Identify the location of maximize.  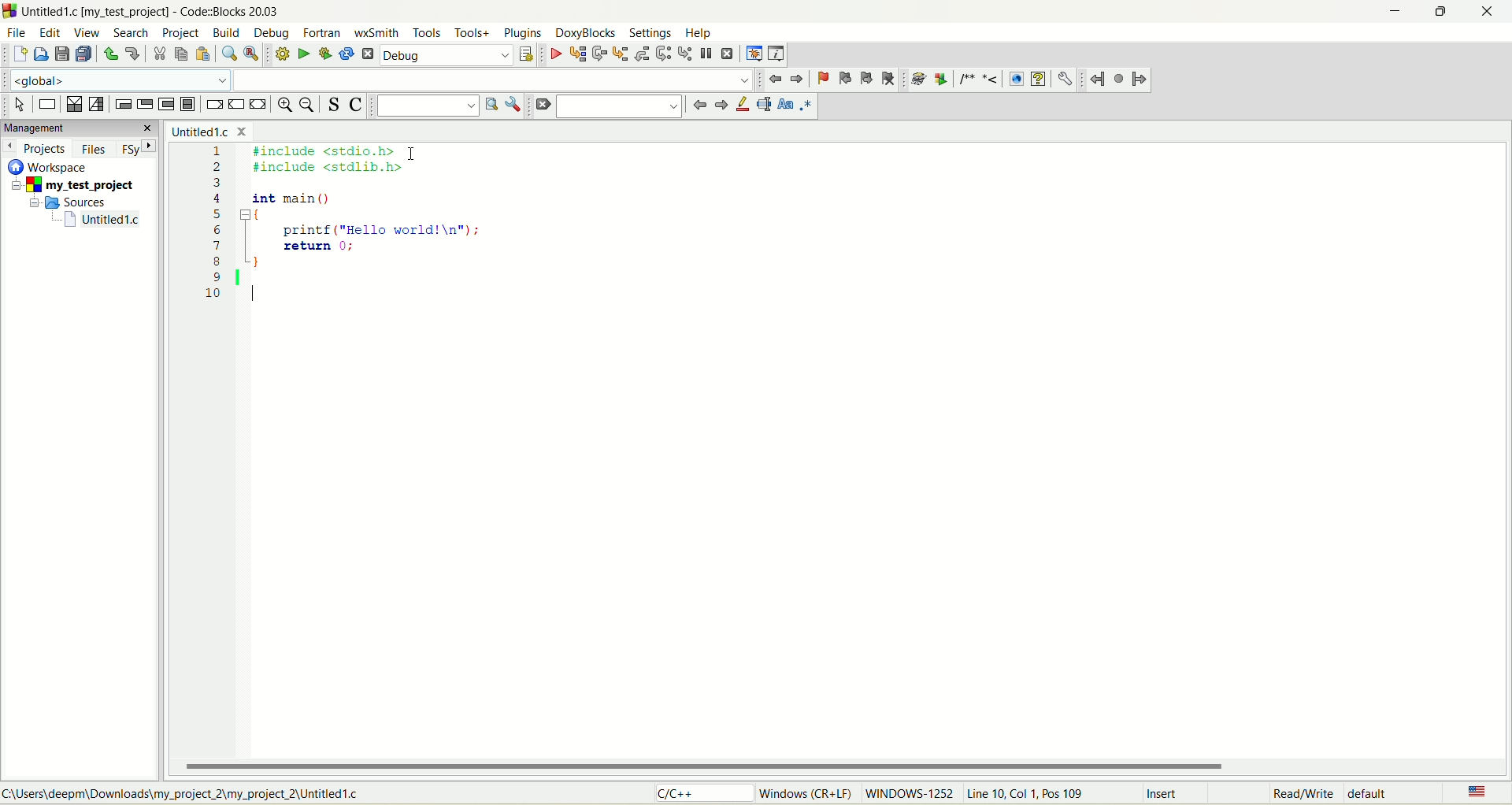
(1442, 12).